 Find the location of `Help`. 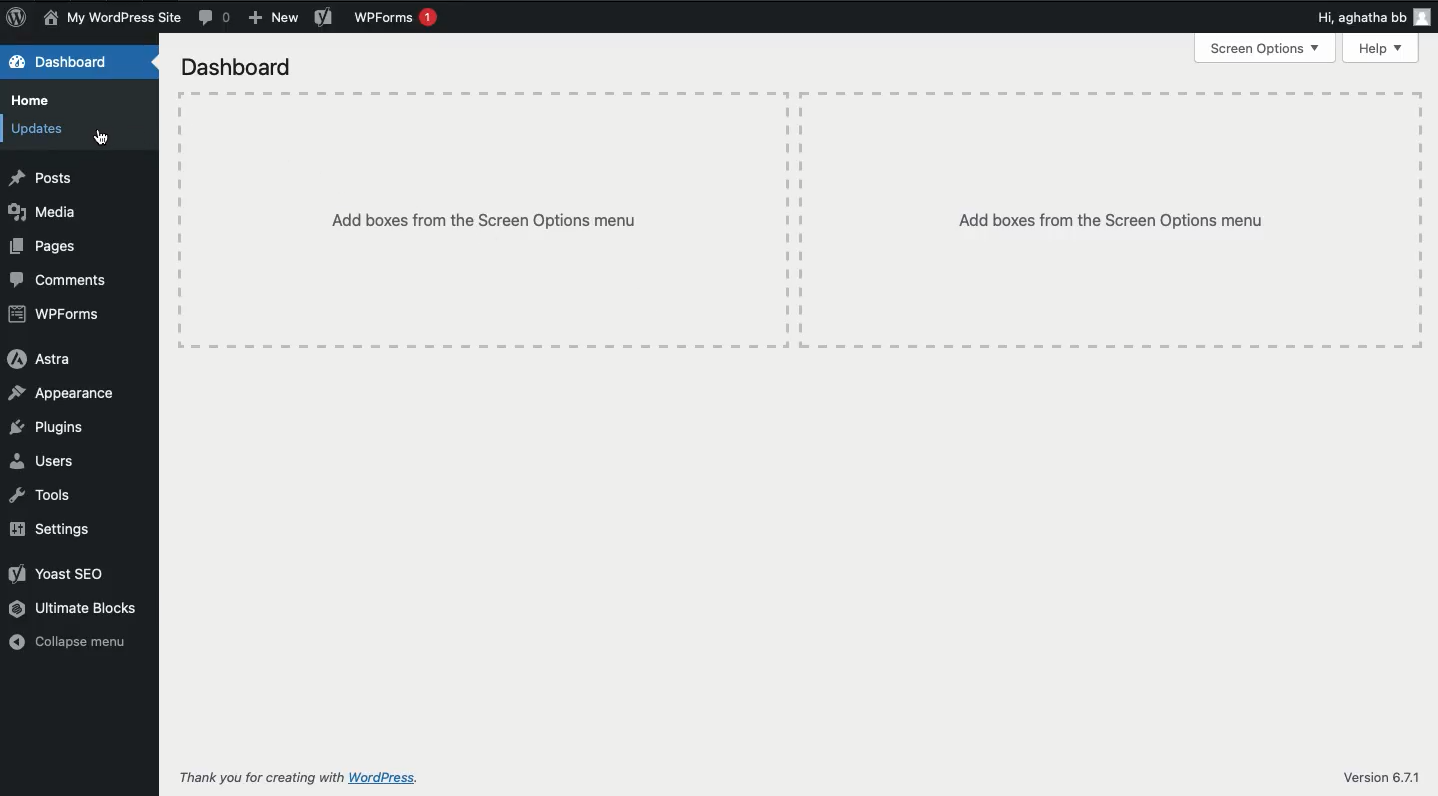

Help is located at coordinates (1385, 50).